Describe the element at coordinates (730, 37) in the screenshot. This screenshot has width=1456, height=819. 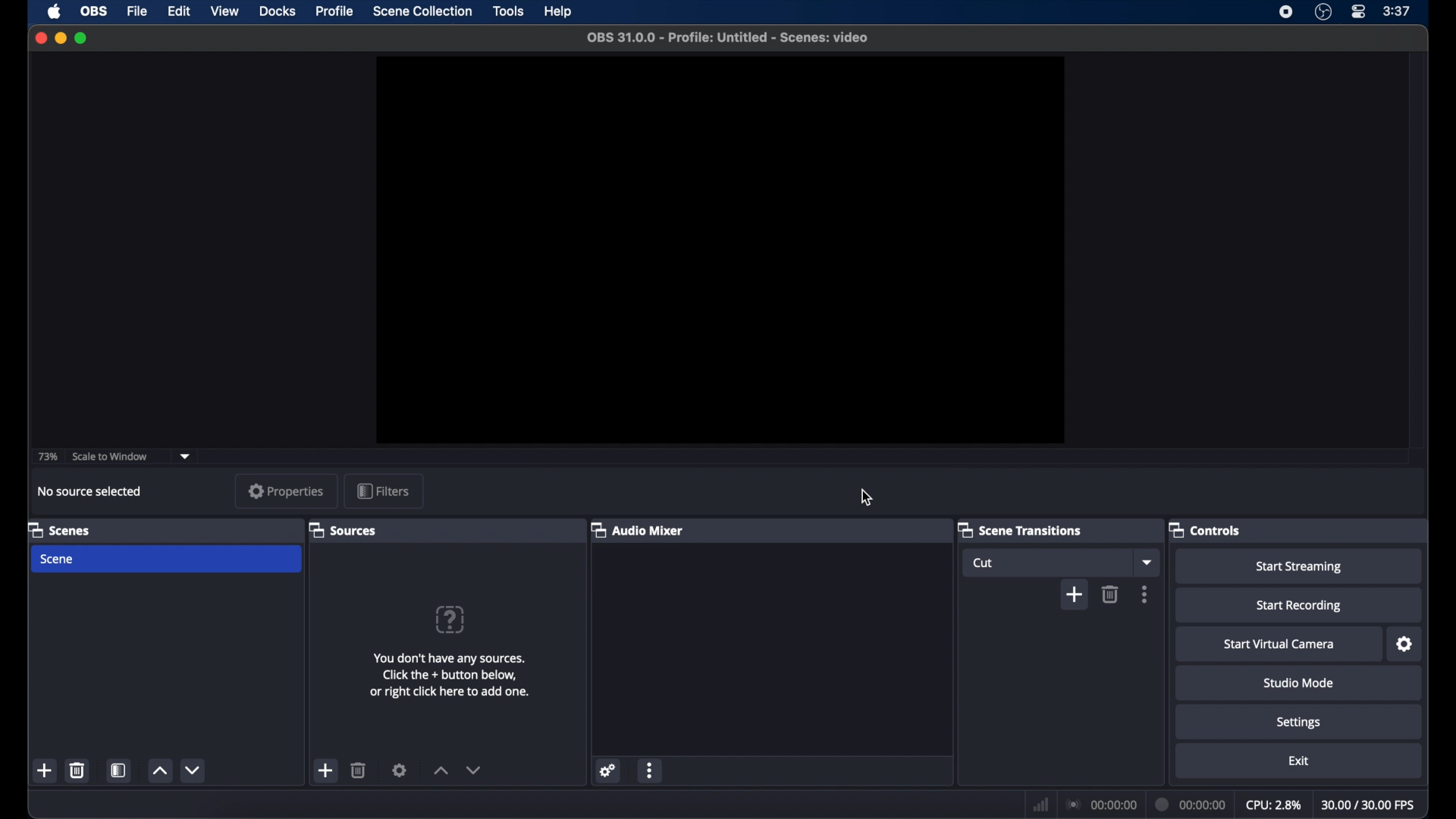
I see `file name` at that location.